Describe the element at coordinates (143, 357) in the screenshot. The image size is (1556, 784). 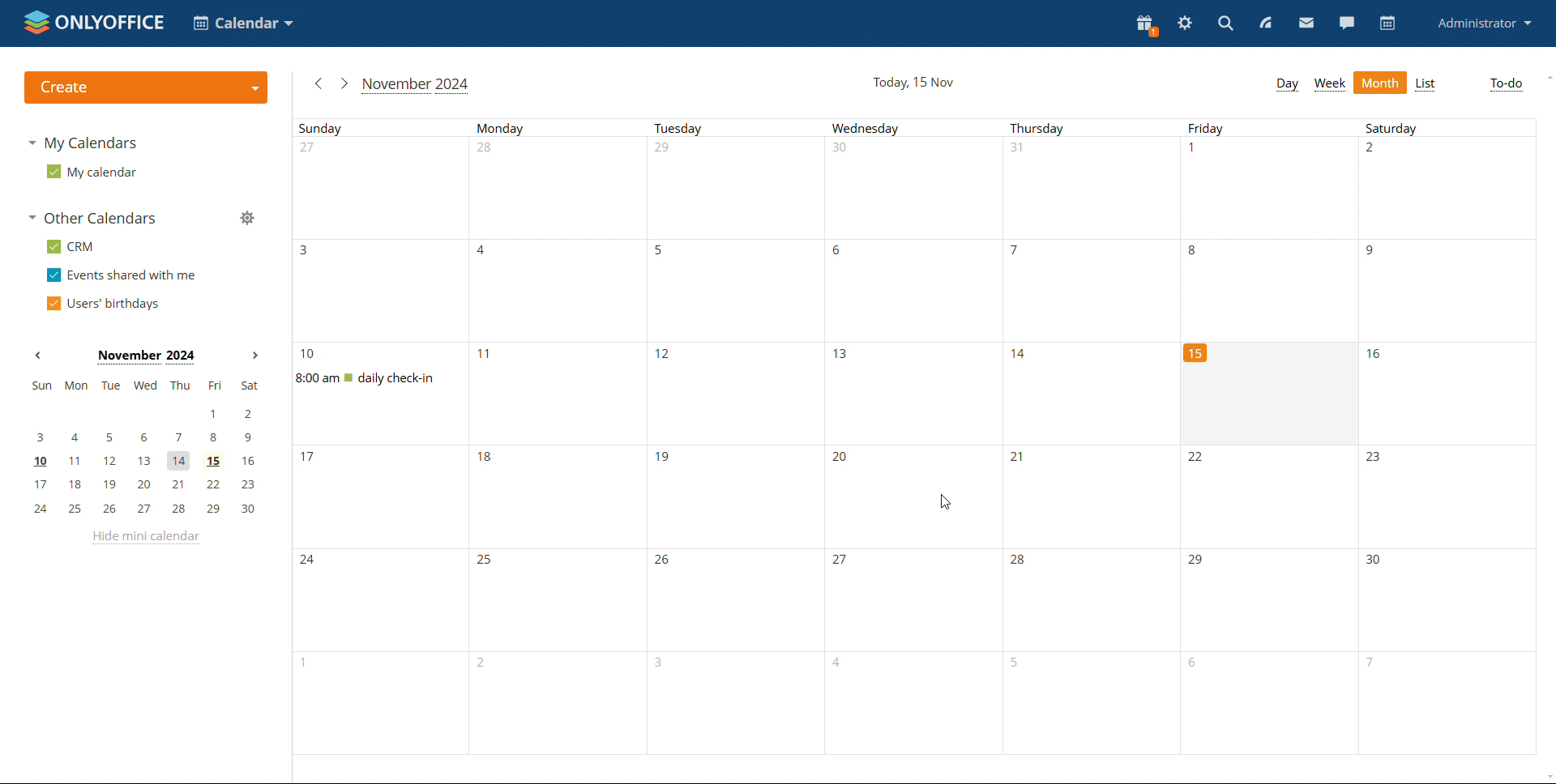
I see `current month` at that location.